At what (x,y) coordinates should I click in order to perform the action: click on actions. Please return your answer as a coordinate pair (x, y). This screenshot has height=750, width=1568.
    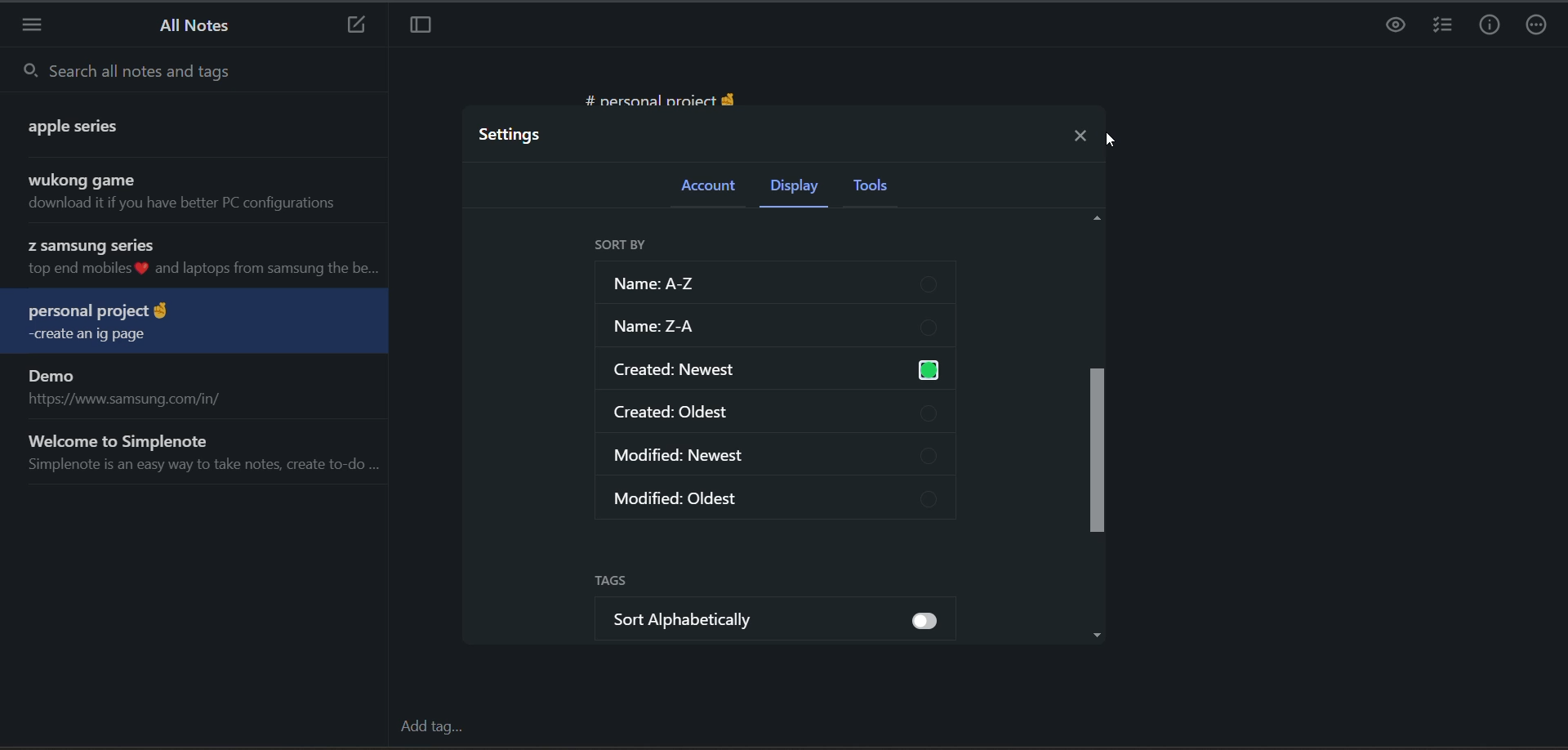
    Looking at the image, I should click on (1537, 27).